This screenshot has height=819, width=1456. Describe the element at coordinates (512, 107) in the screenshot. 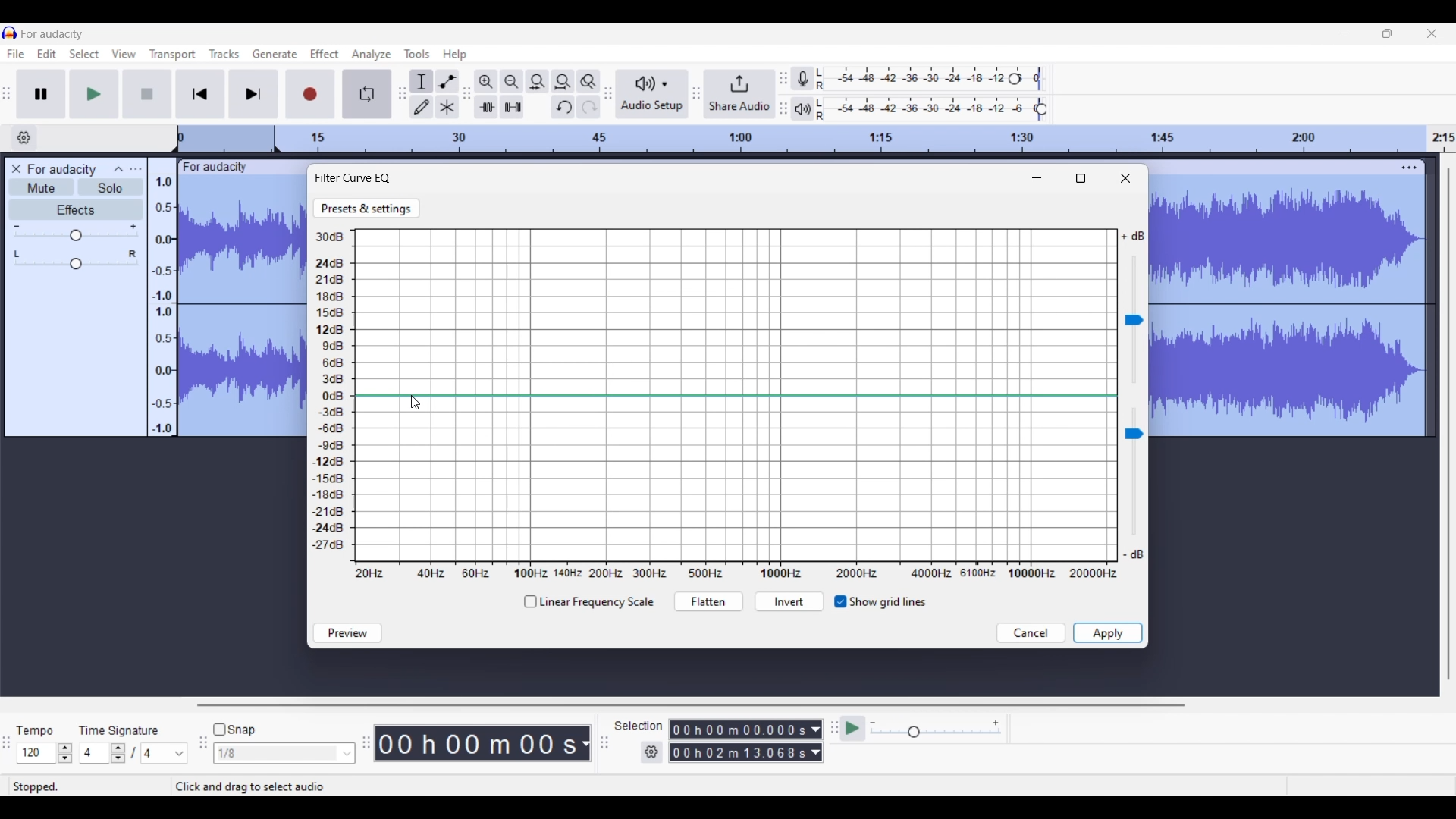

I see `Silence audio selection` at that location.